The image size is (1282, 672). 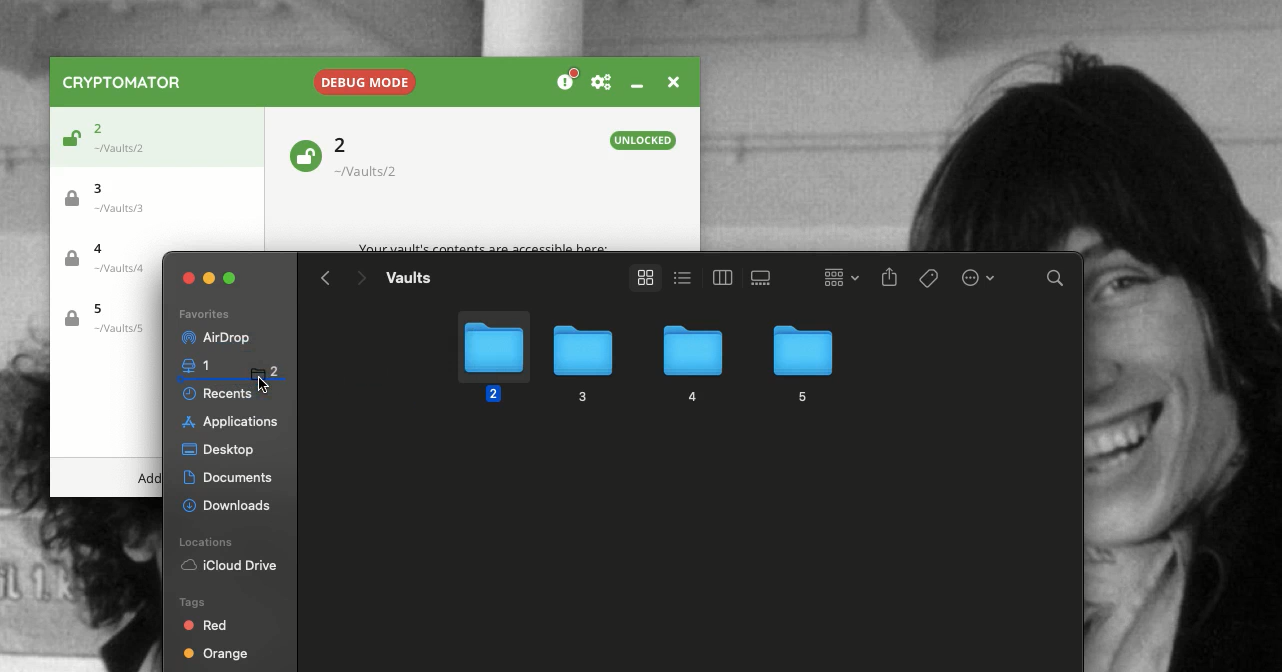 I want to click on Locations, so click(x=209, y=542).